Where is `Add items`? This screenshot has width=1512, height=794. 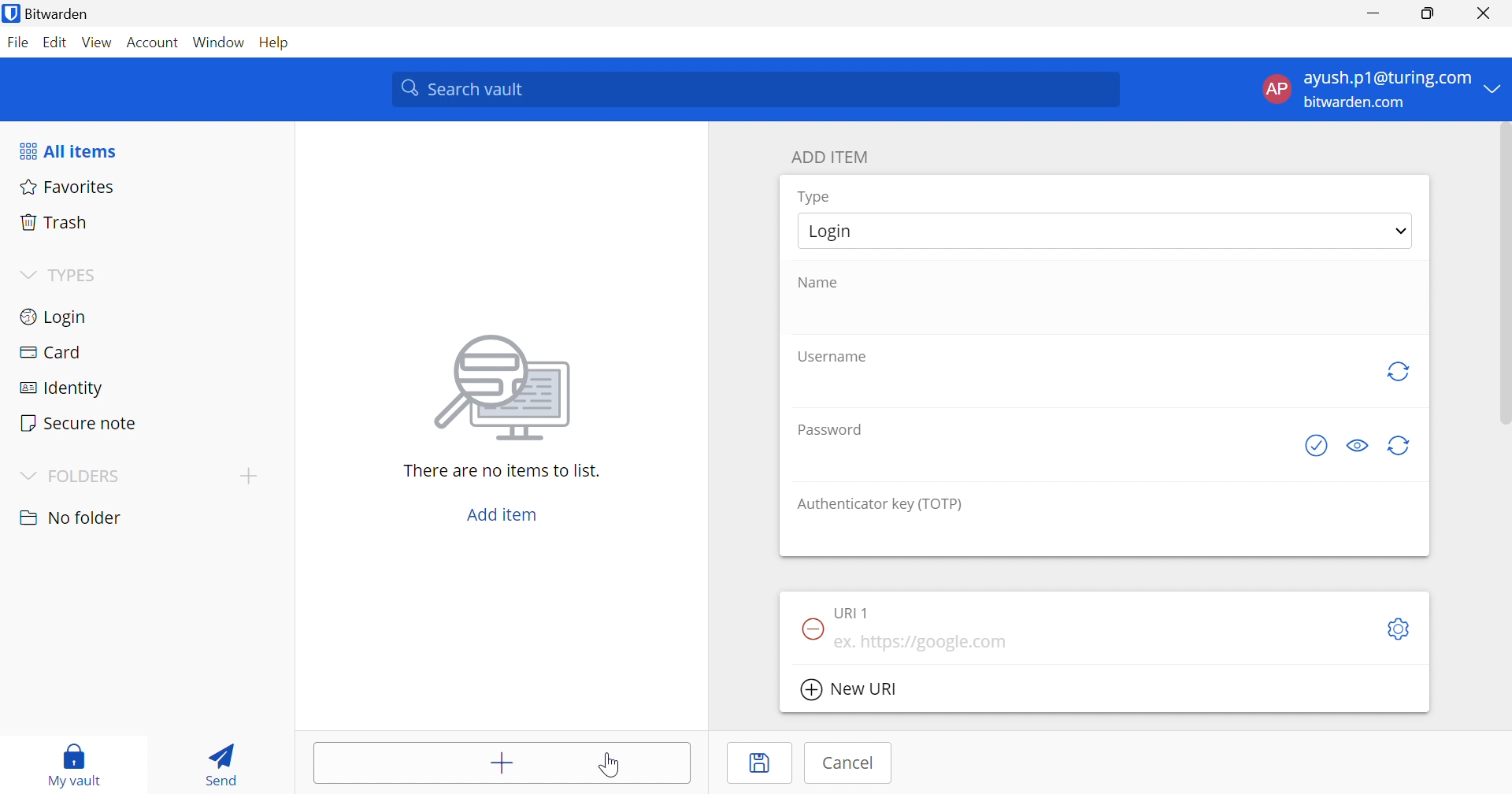
Add items is located at coordinates (499, 763).